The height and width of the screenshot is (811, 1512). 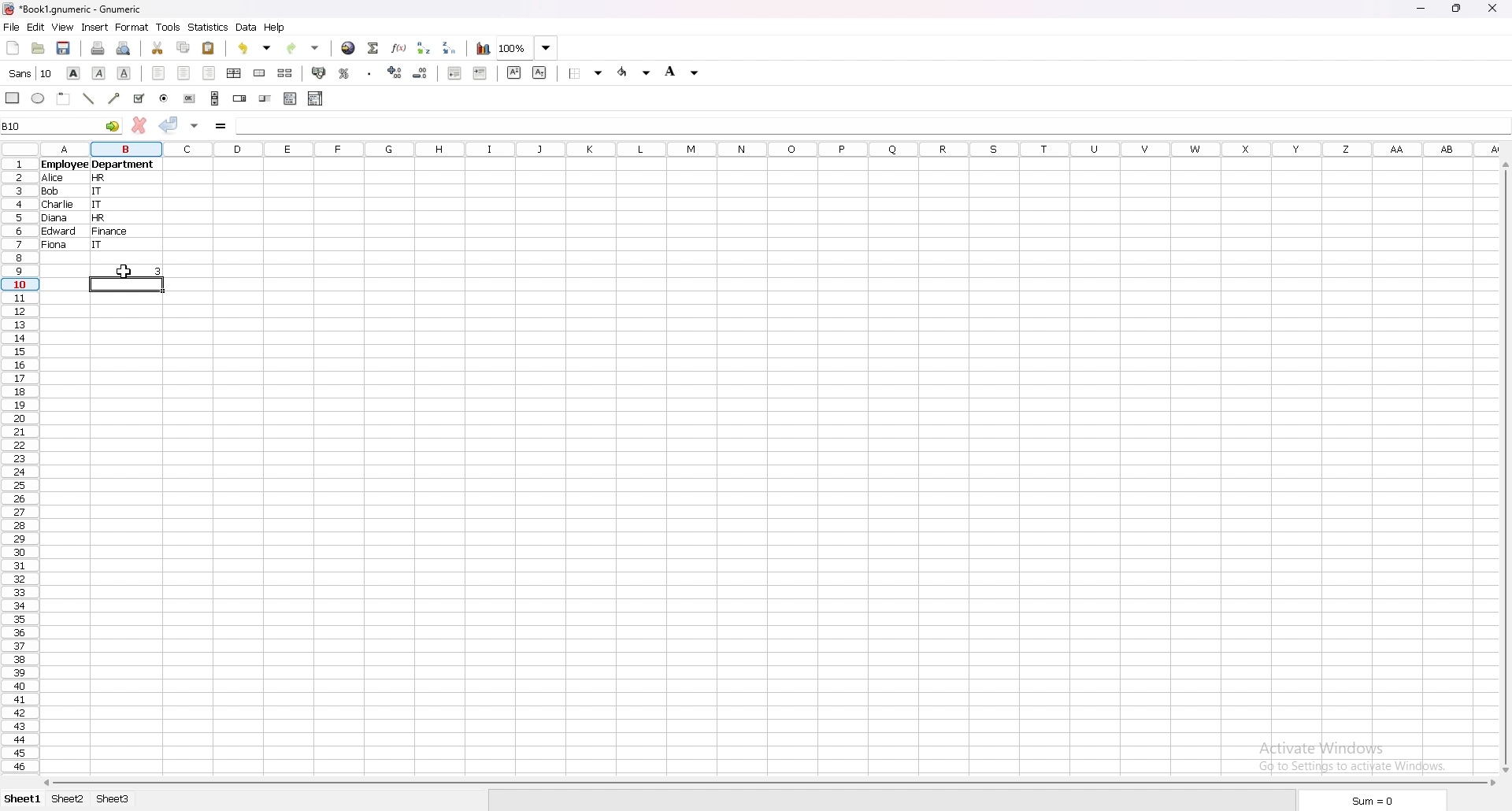 I want to click on Bob, so click(x=48, y=193).